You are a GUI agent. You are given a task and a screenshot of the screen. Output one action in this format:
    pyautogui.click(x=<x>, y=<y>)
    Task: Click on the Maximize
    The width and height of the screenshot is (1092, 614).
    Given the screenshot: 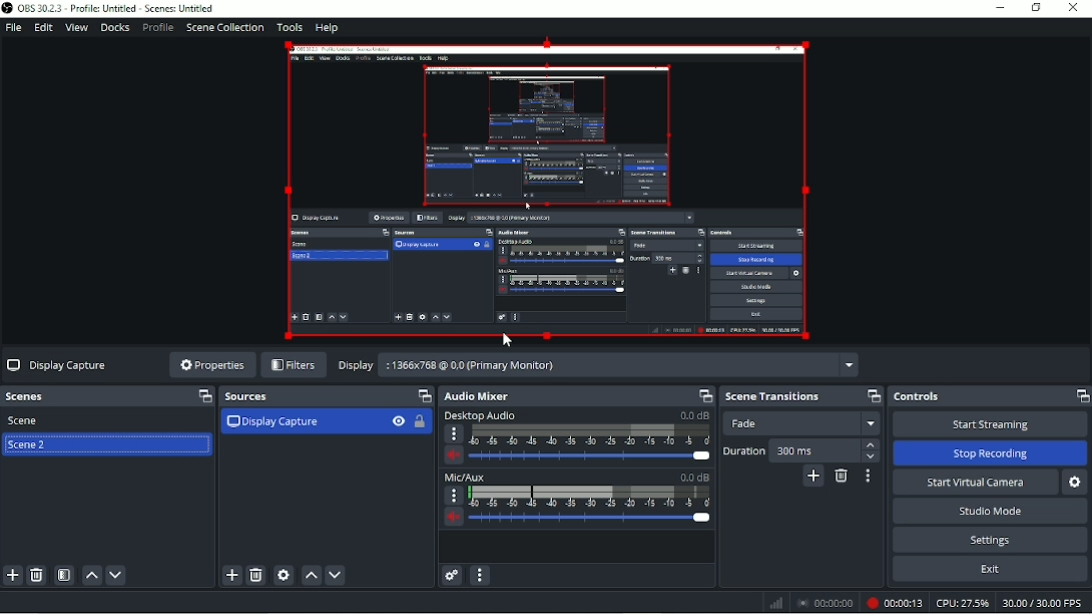 What is the action you would take?
    pyautogui.click(x=200, y=396)
    